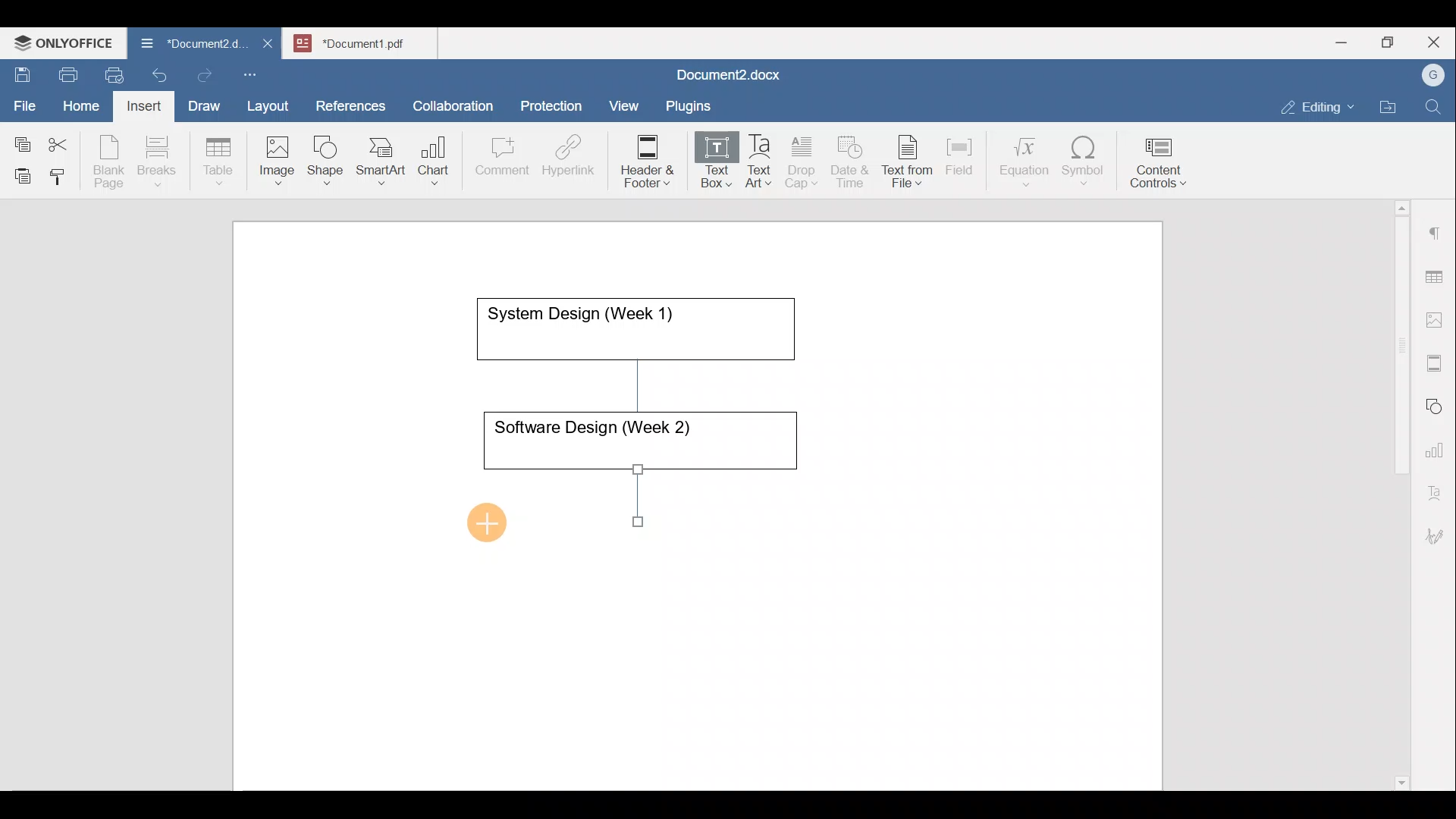 The height and width of the screenshot is (819, 1456). What do you see at coordinates (281, 155) in the screenshot?
I see `Image` at bounding box center [281, 155].